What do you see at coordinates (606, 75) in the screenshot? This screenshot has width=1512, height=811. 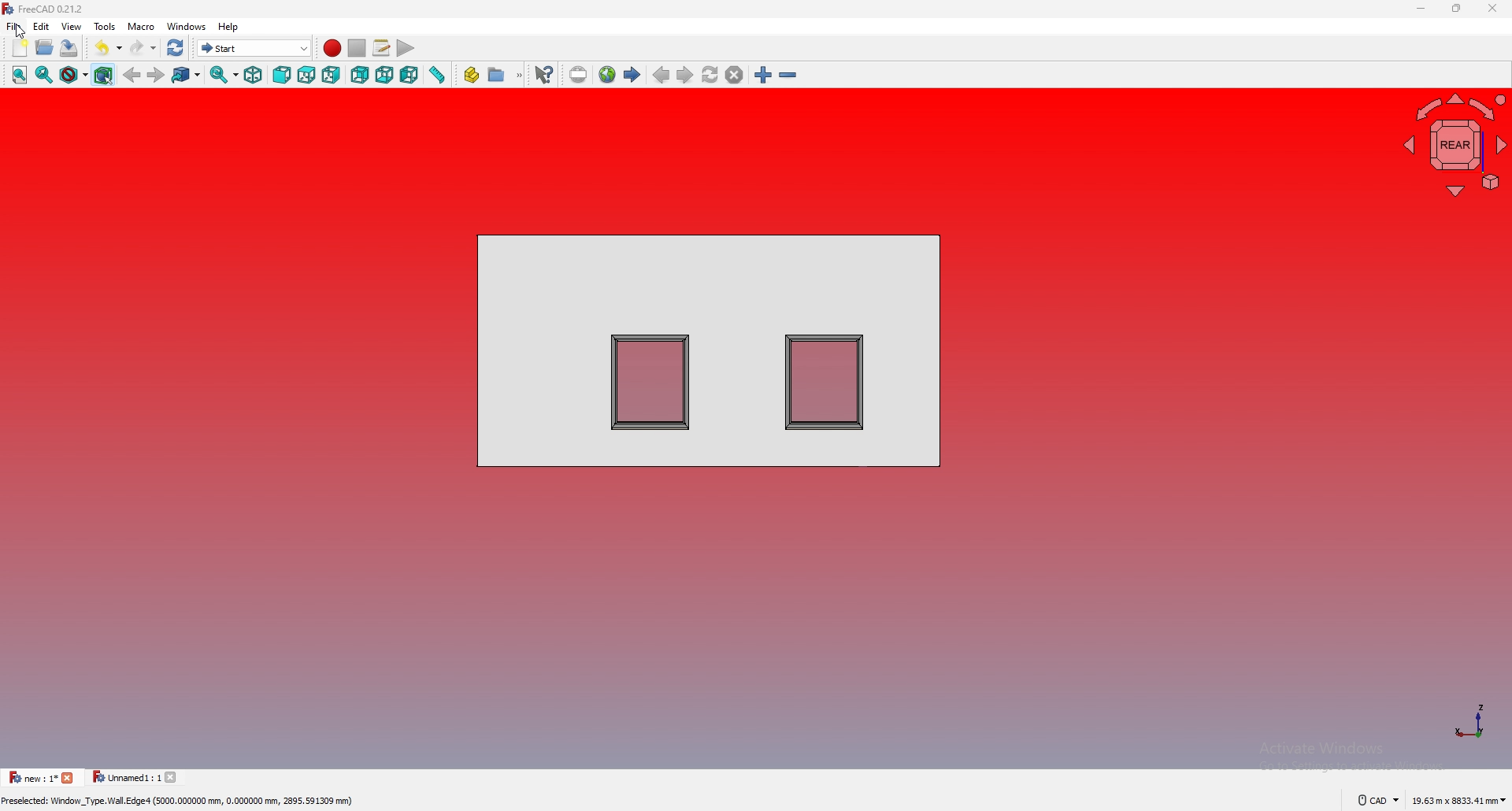 I see `open website` at bounding box center [606, 75].